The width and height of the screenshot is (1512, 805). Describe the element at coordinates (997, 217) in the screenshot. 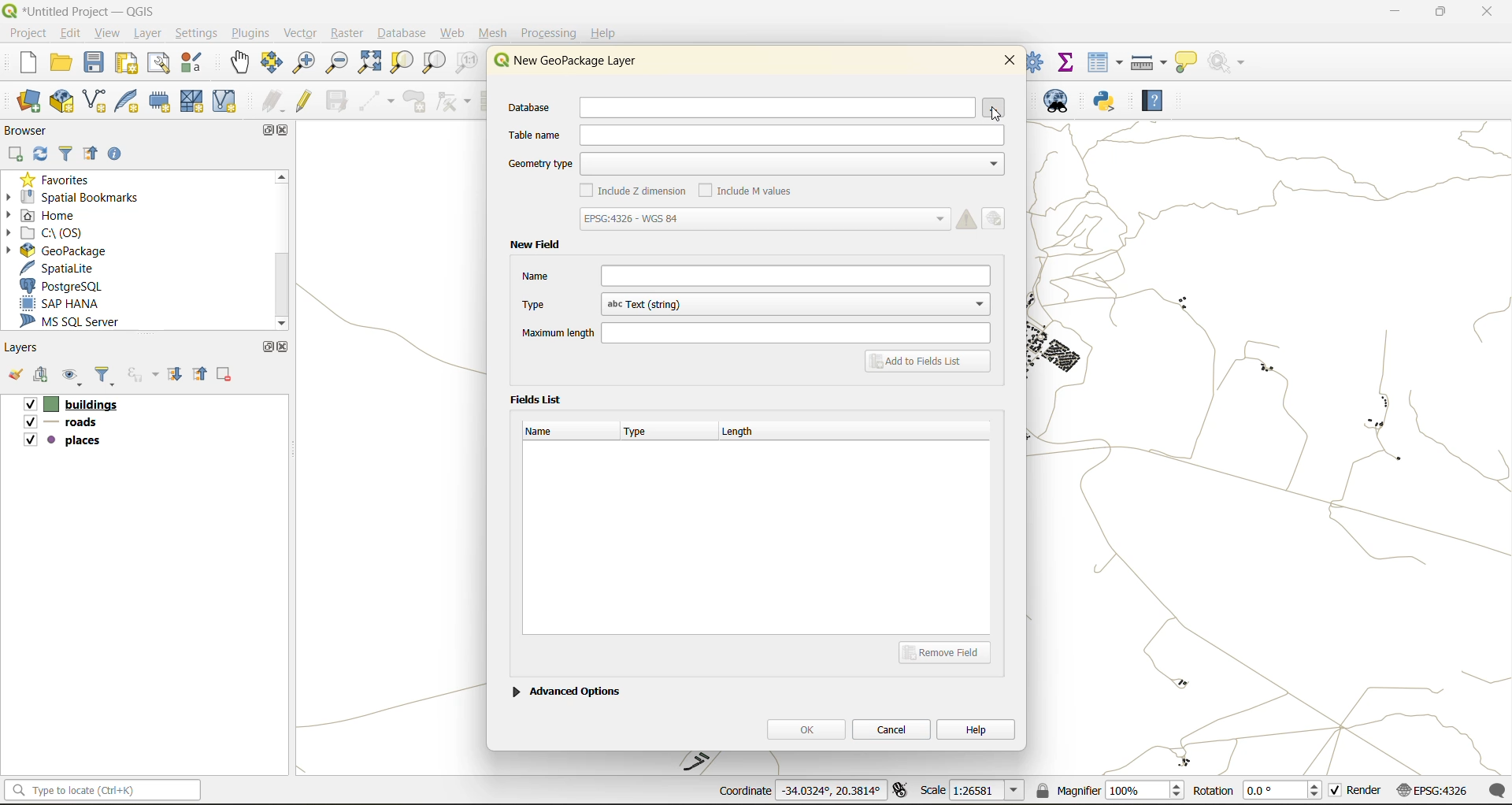

I see `Edit` at that location.